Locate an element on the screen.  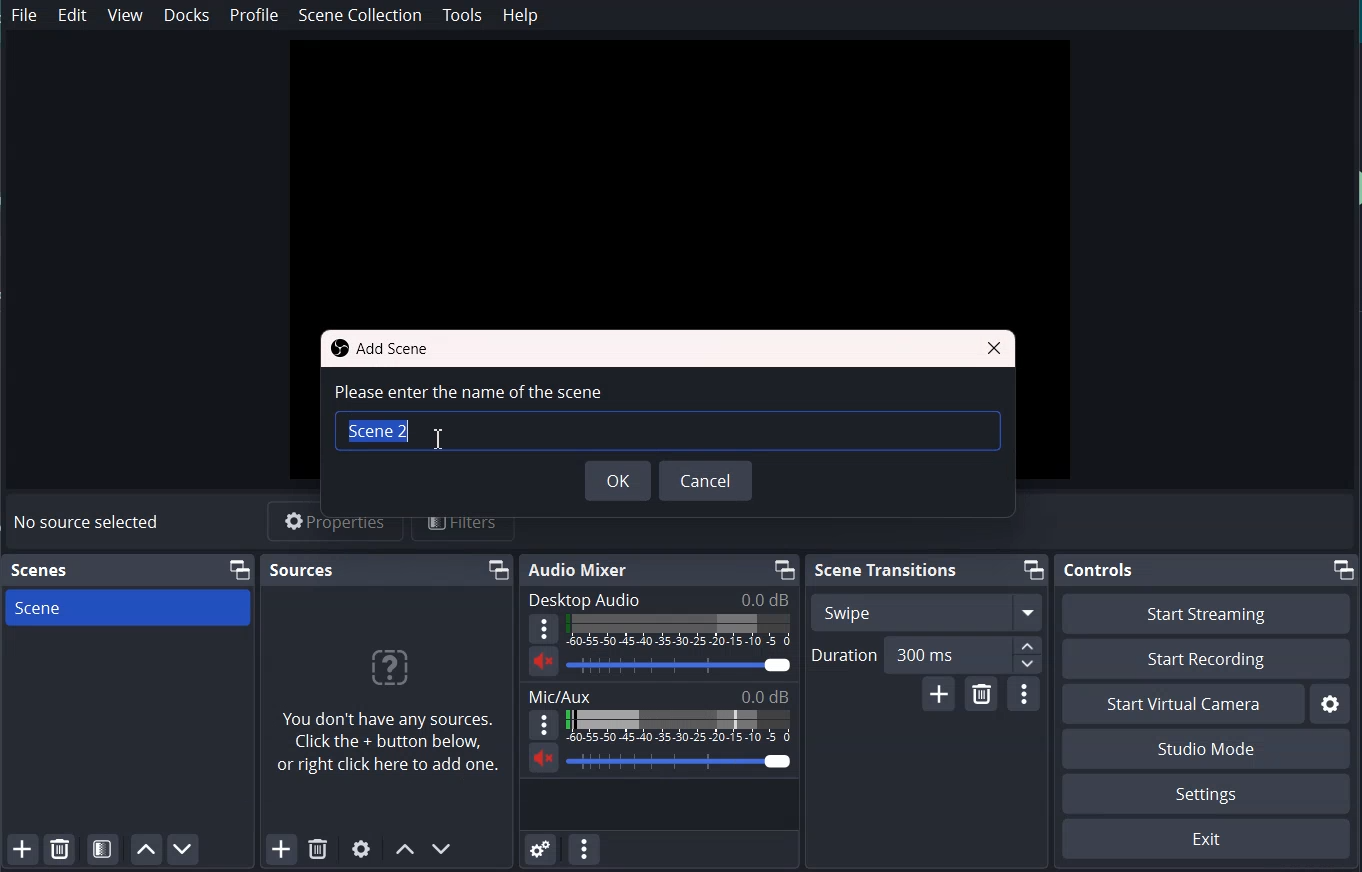
Audio mixer is located at coordinates (580, 570).